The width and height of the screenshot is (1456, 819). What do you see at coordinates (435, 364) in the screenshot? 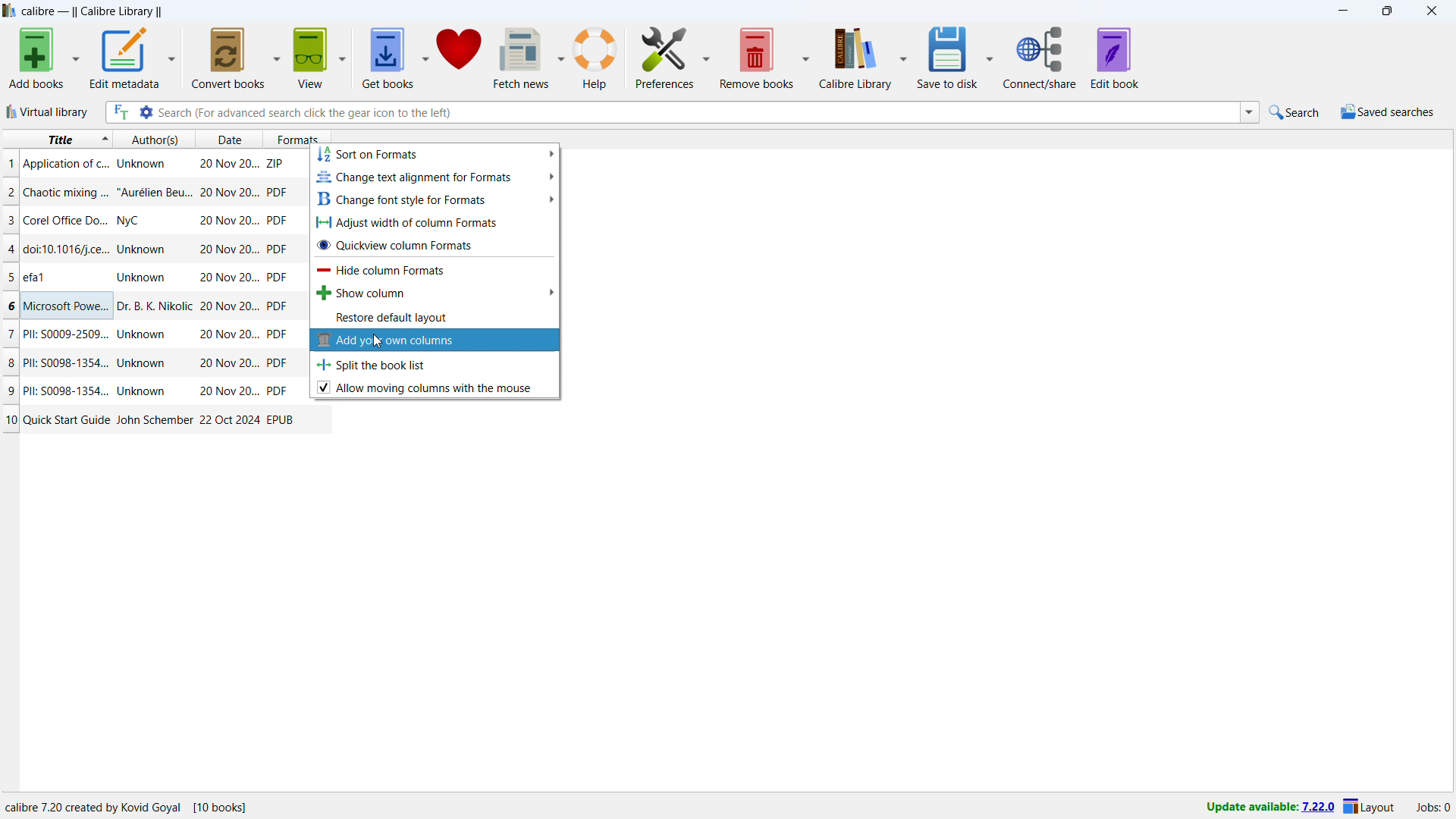
I see `split the book list` at bounding box center [435, 364].